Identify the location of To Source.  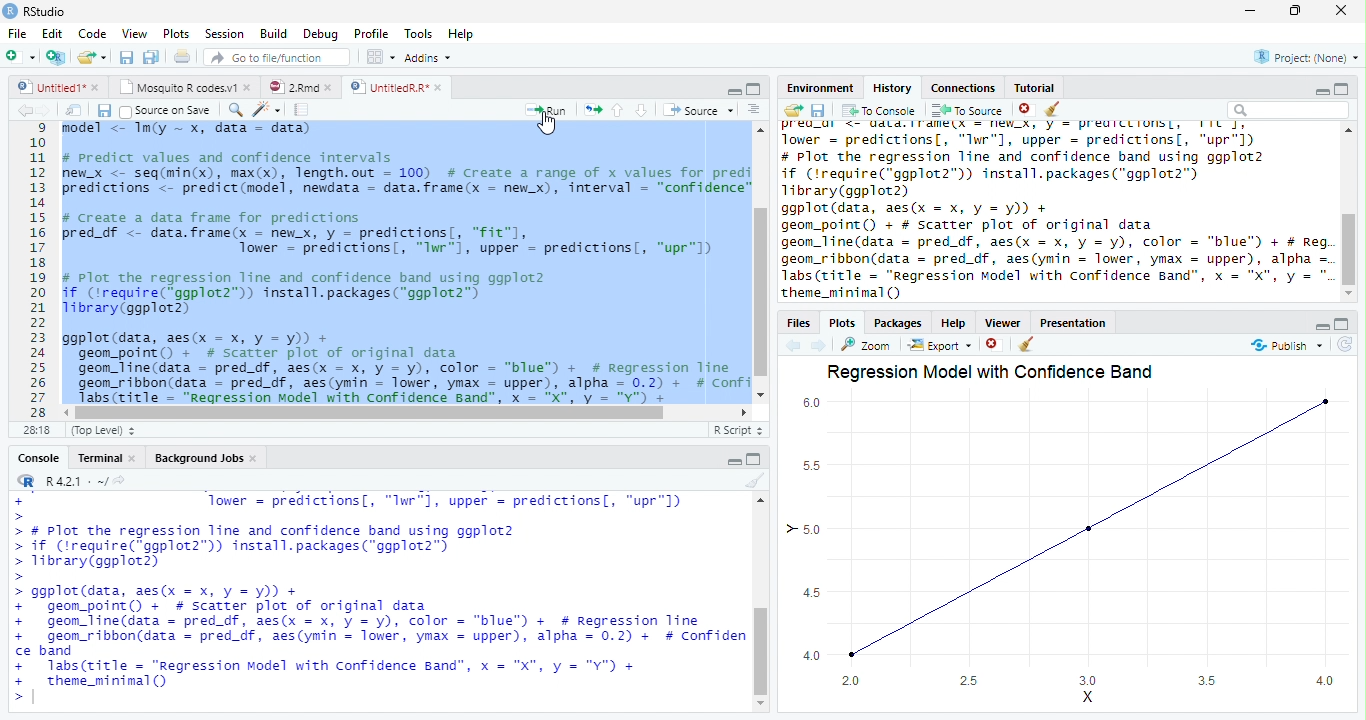
(964, 112).